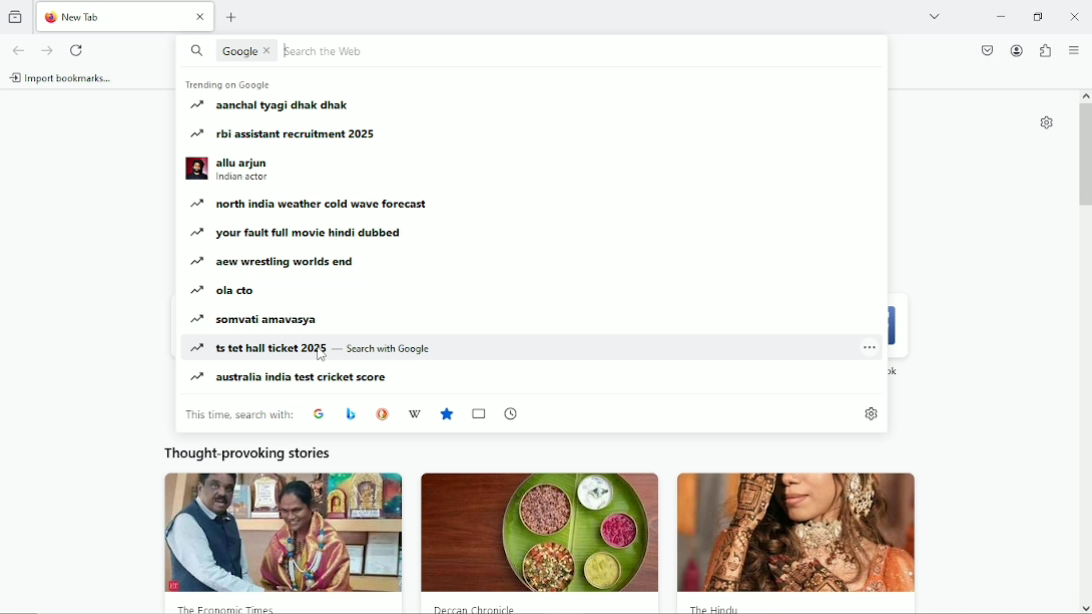 This screenshot has width=1092, height=614. I want to click on more option, so click(870, 345).